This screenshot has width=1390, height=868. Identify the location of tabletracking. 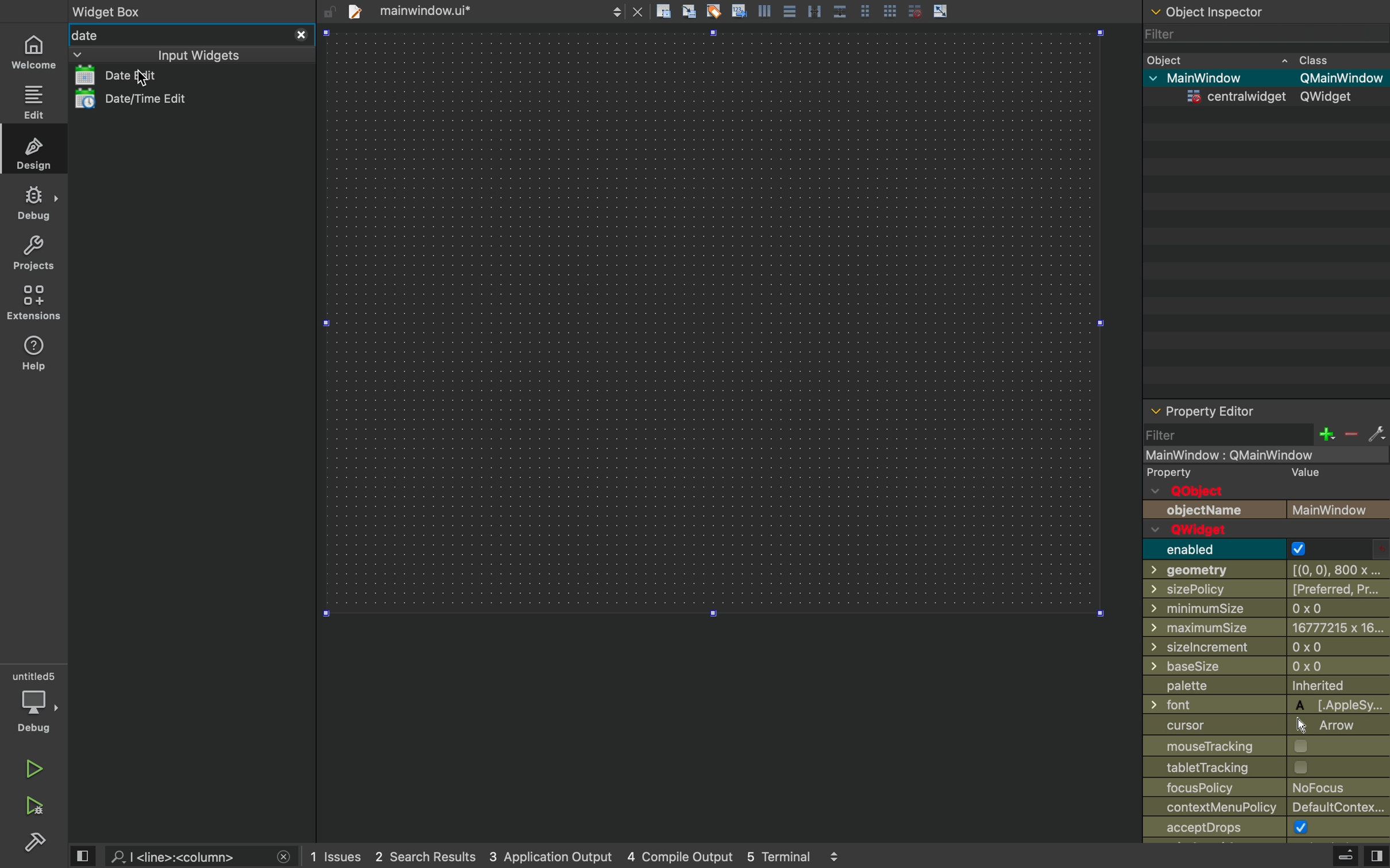
(1266, 768).